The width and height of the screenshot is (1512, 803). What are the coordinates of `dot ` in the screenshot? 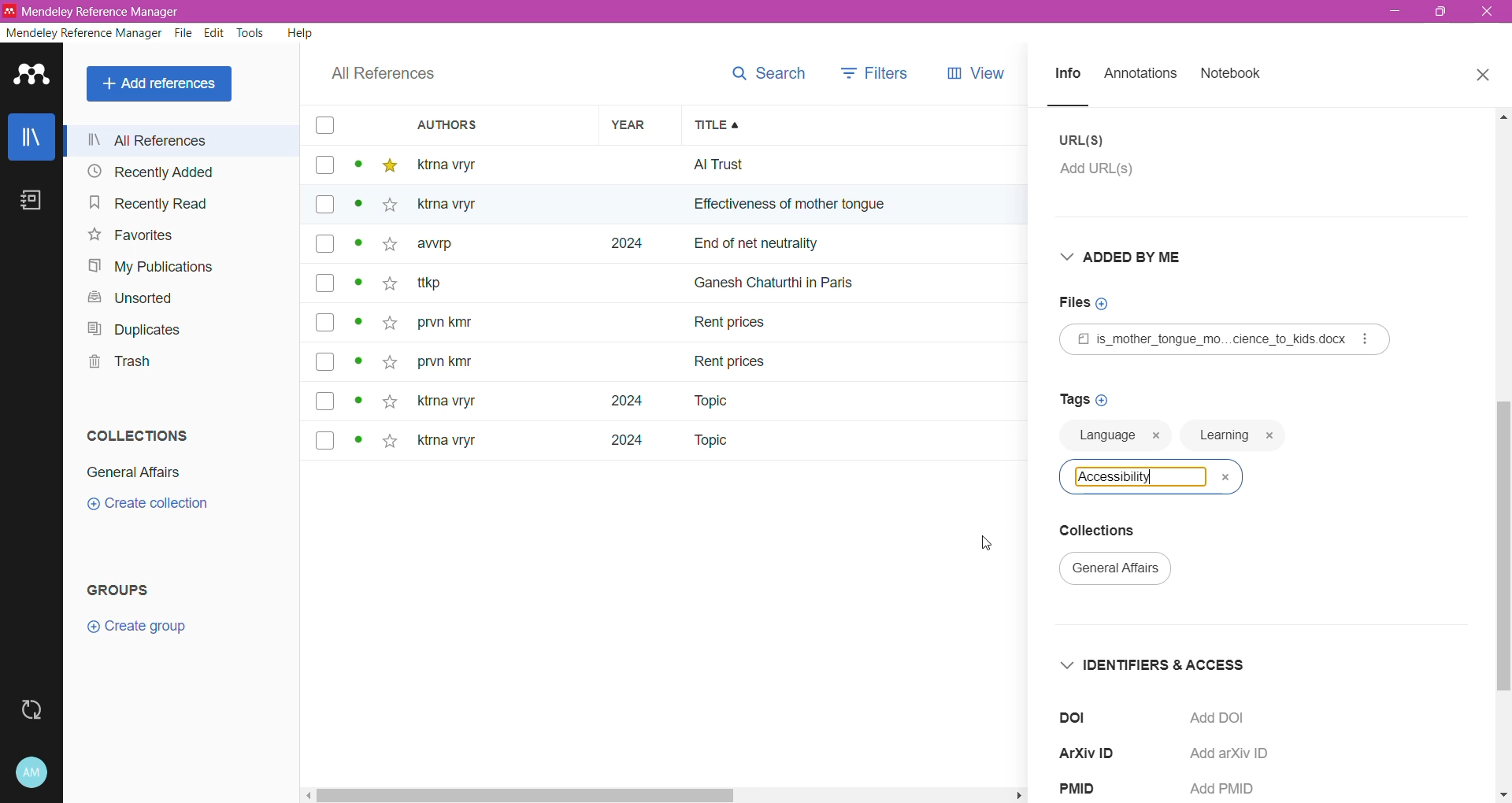 It's located at (357, 326).